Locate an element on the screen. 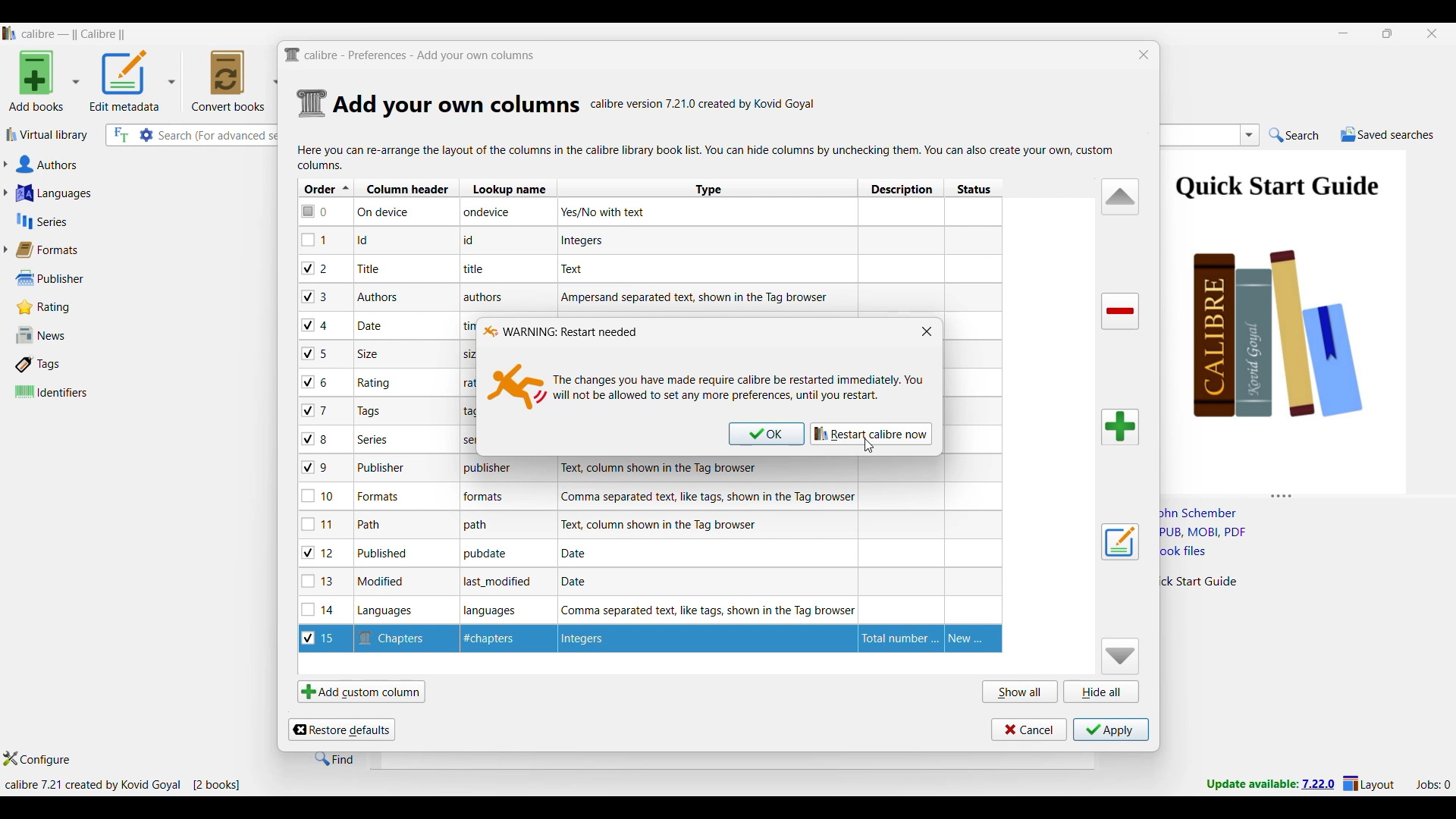 This screenshot has width=1456, height=819. Authors is located at coordinates (120, 165).